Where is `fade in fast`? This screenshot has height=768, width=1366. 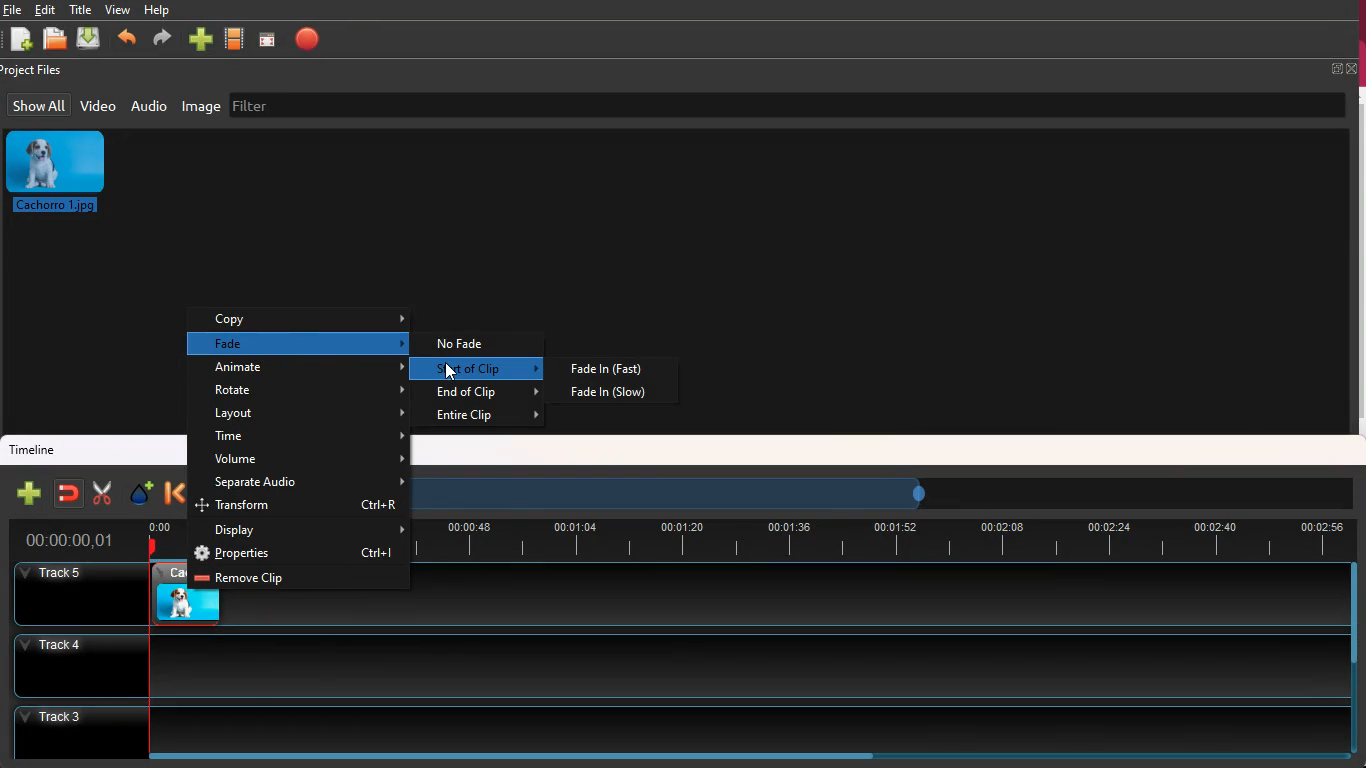 fade in fast is located at coordinates (610, 369).